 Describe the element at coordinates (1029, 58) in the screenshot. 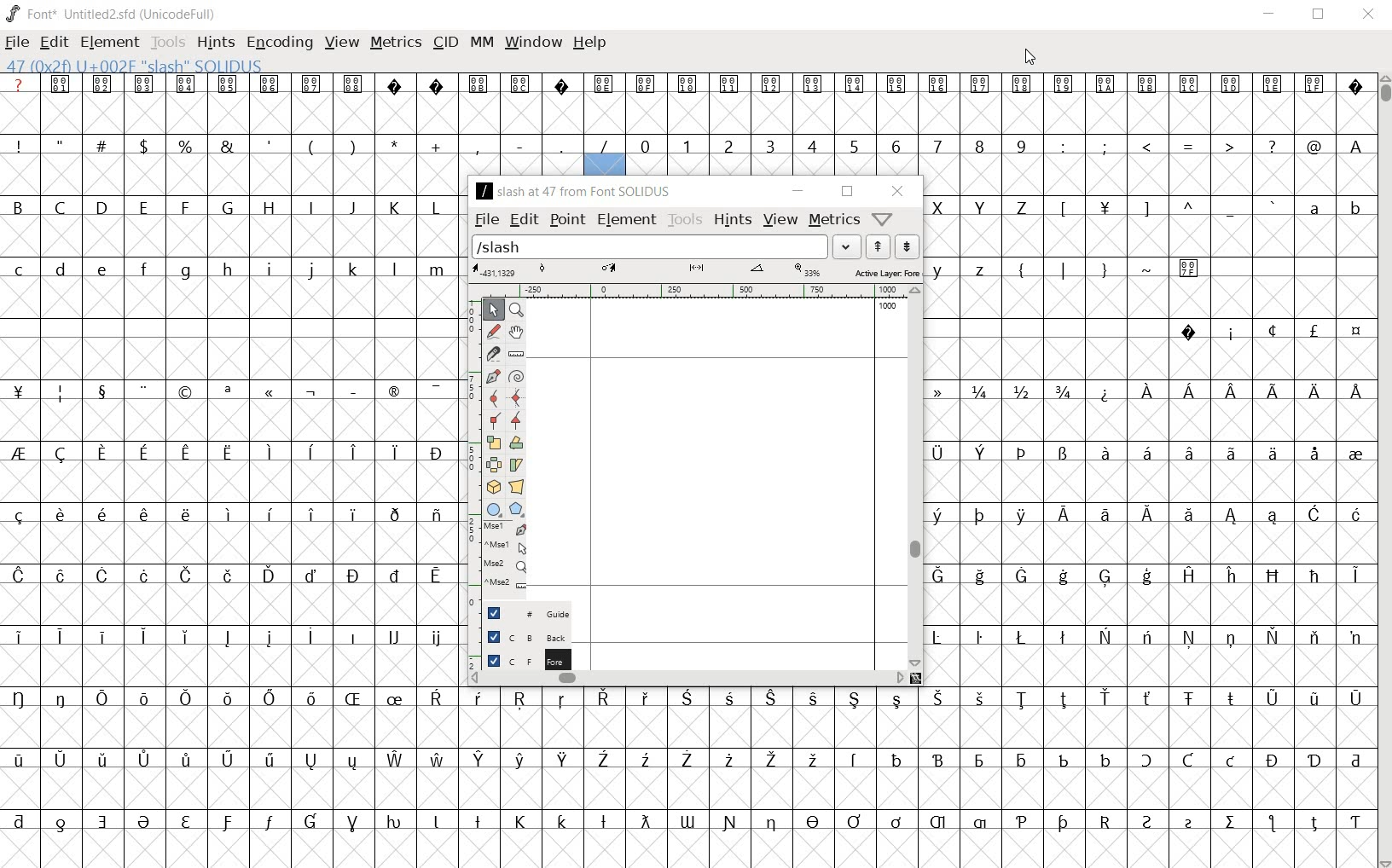

I see `CURSOR` at that location.